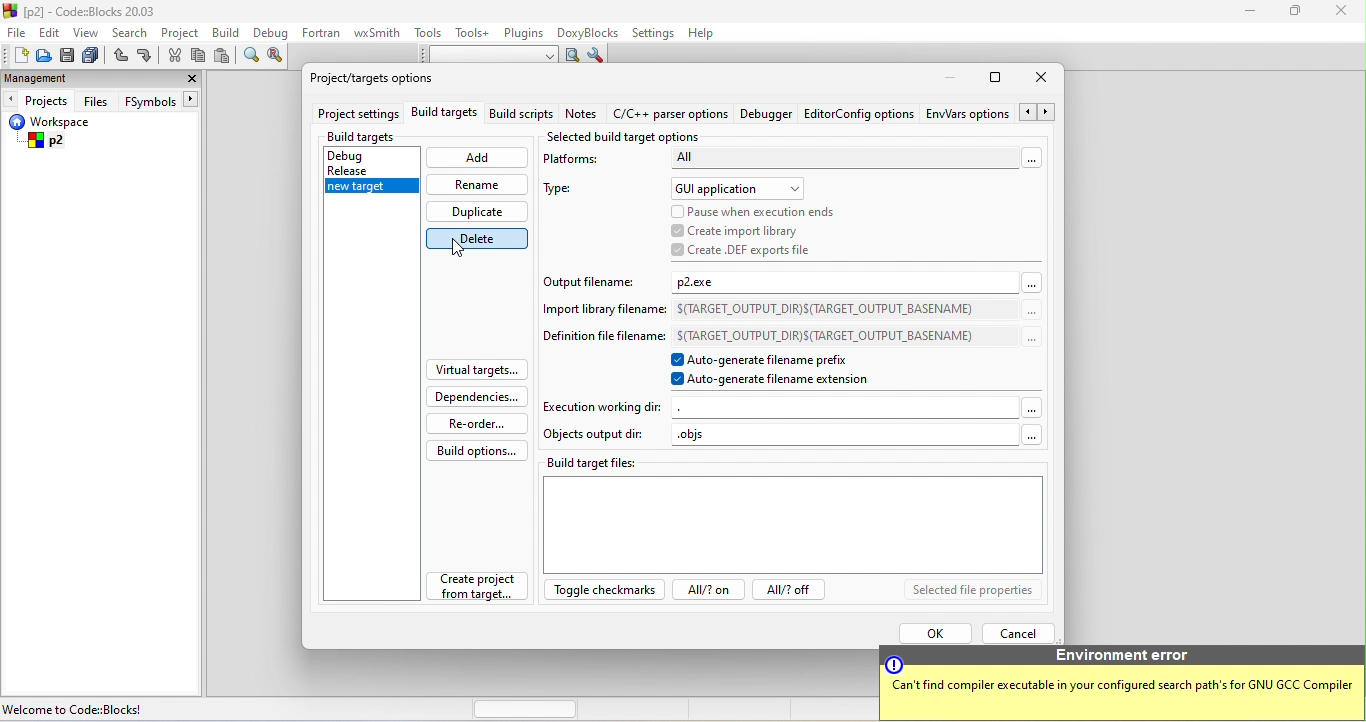 The width and height of the screenshot is (1366, 722). I want to click on build targets, so click(444, 116).